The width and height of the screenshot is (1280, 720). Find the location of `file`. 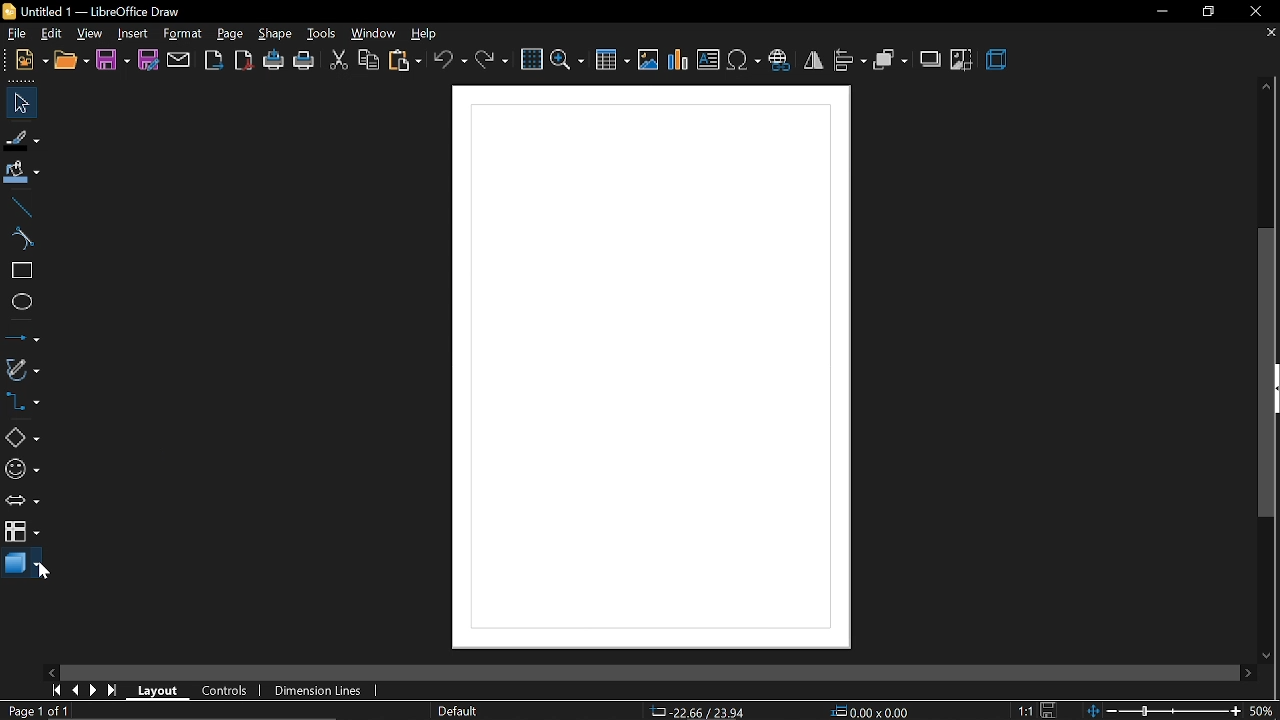

file is located at coordinates (15, 33).